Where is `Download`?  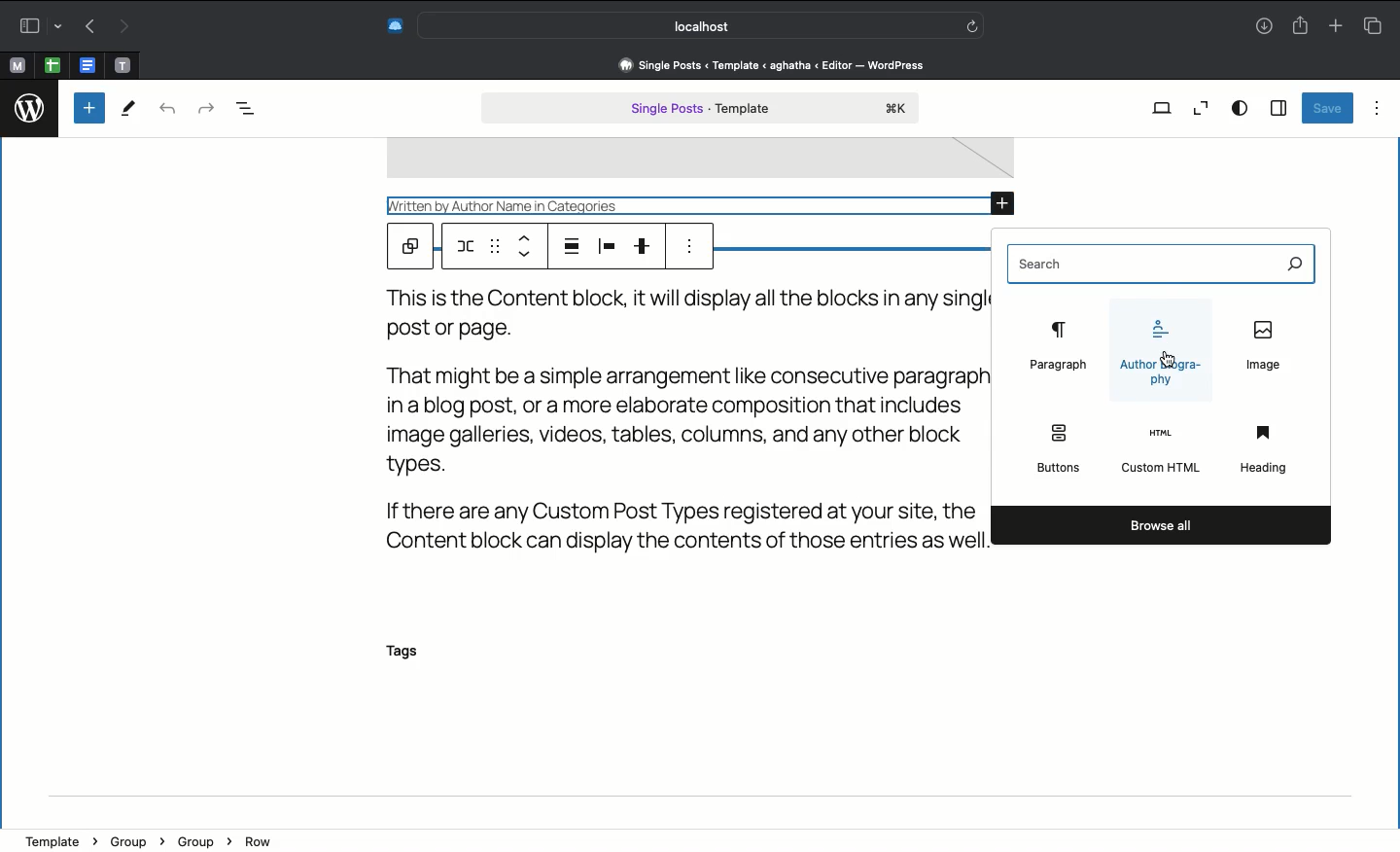 Download is located at coordinates (1261, 27).